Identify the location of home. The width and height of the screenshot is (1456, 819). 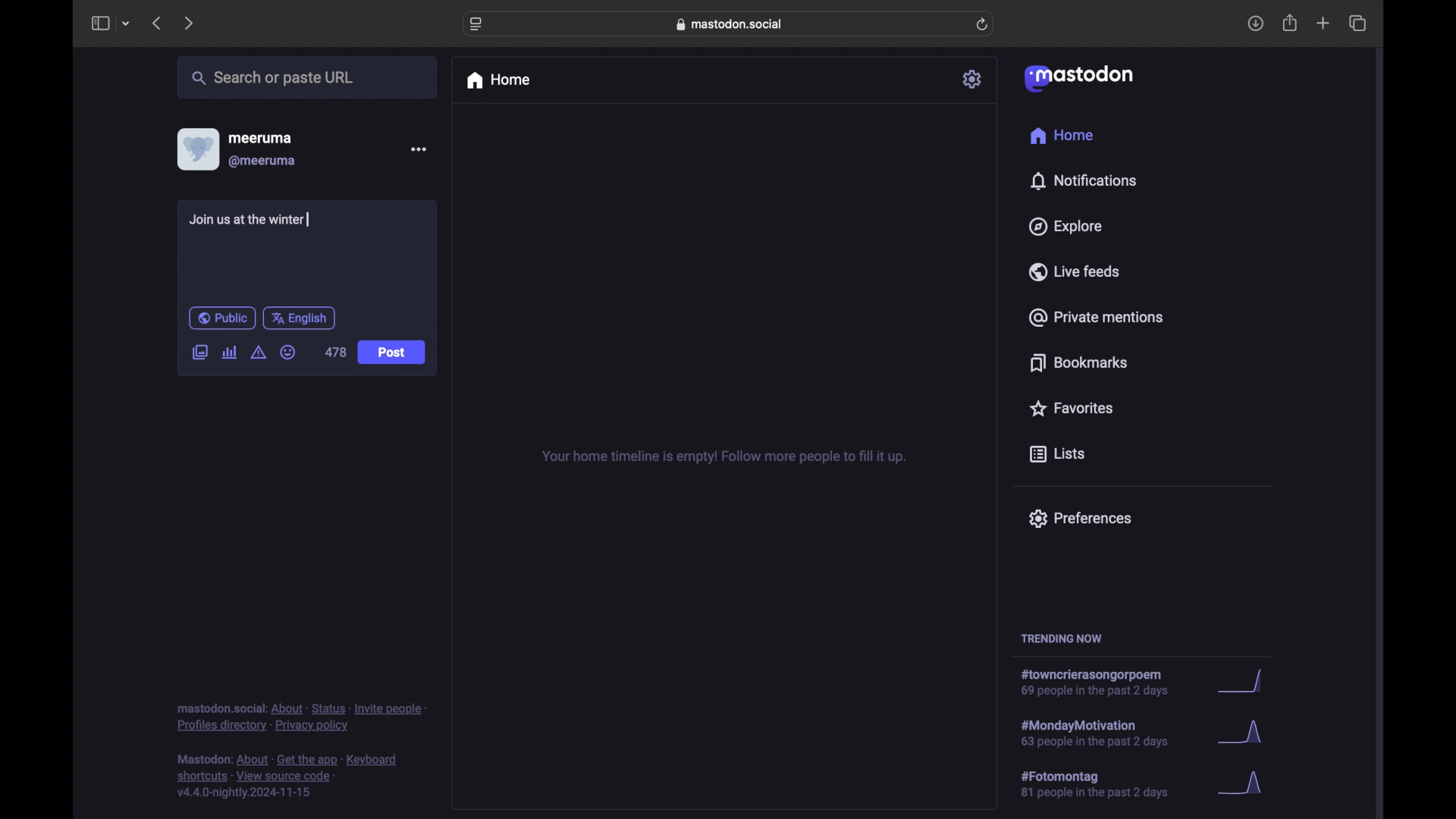
(1061, 136).